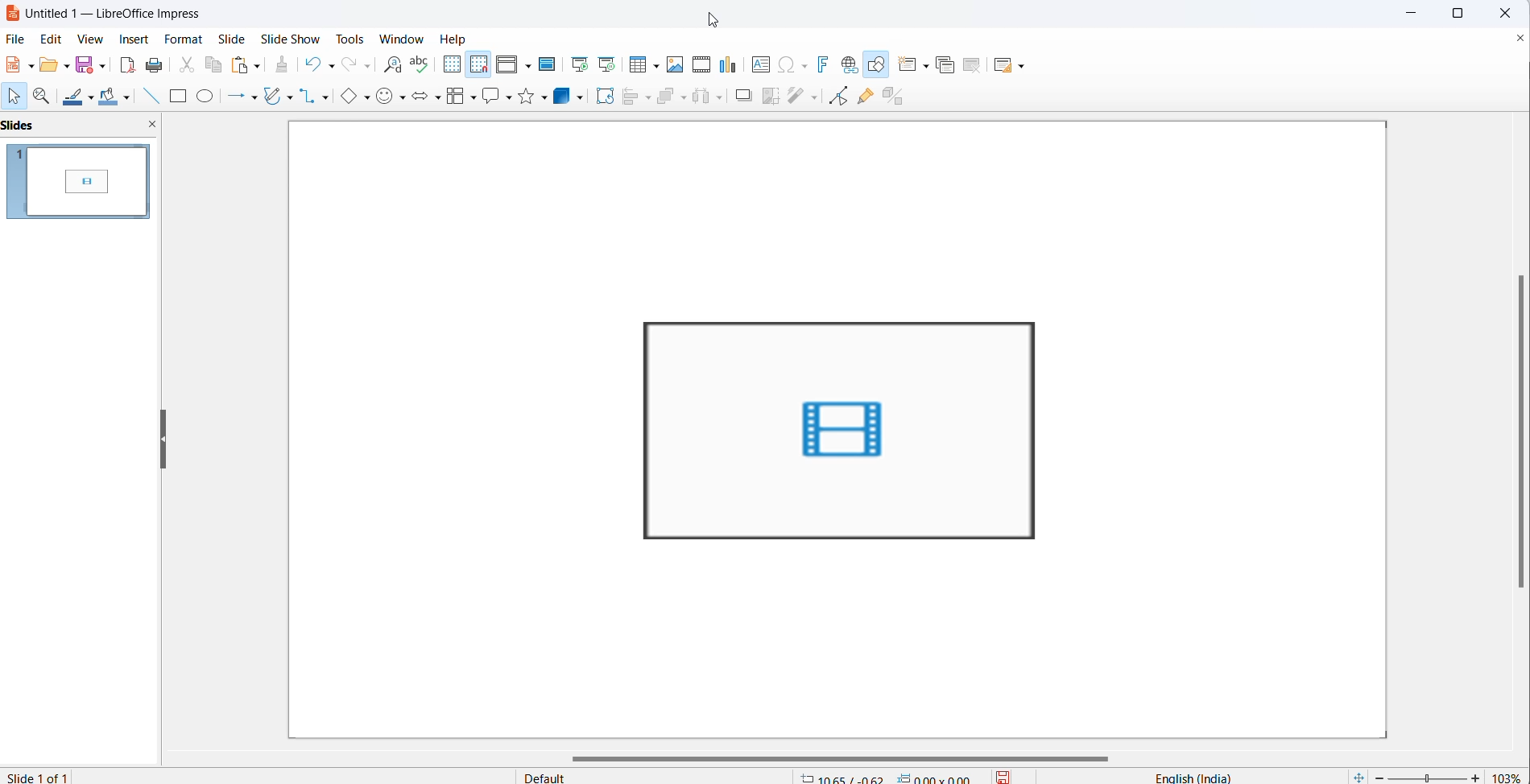  I want to click on vertical scroll bar, so click(1520, 435).